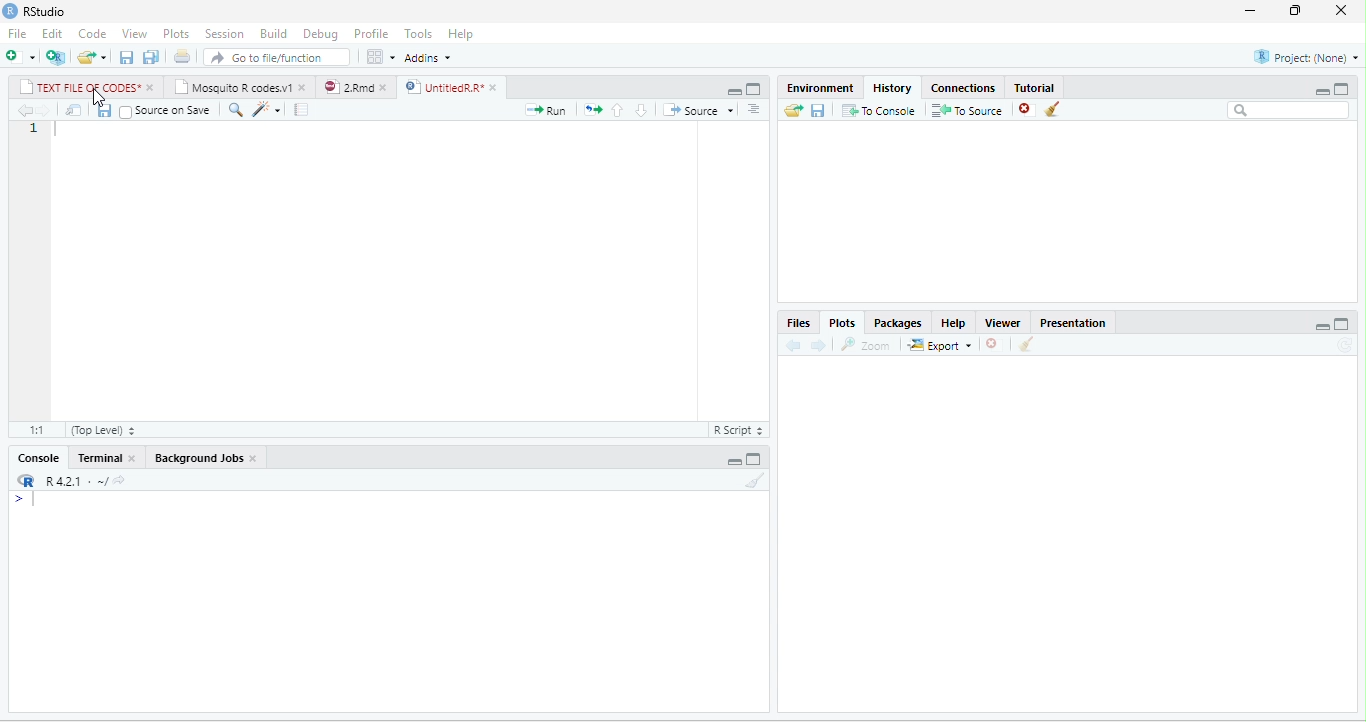 This screenshot has height=722, width=1366. Describe the element at coordinates (698, 110) in the screenshot. I see `Source` at that location.